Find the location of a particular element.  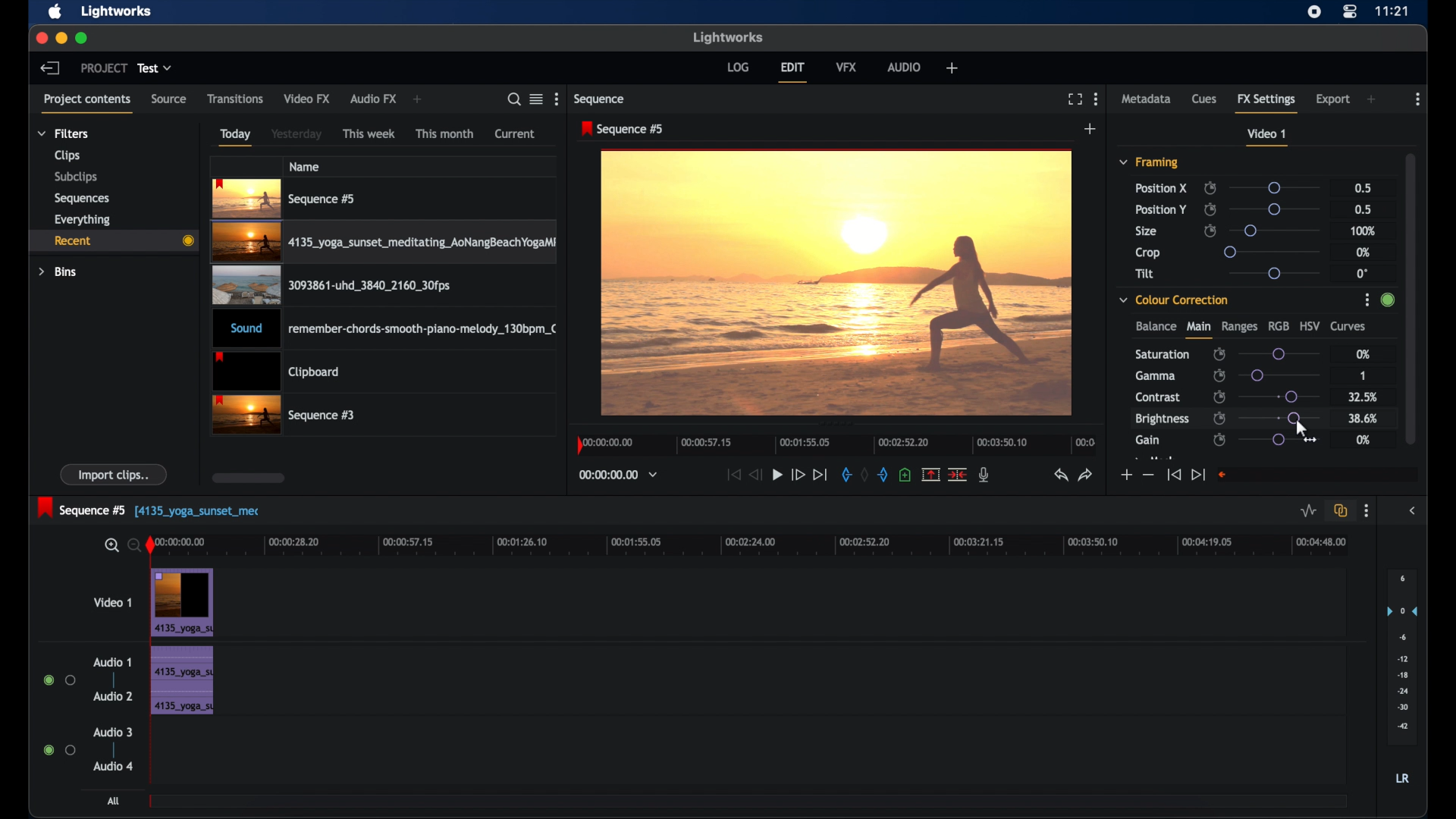

project is located at coordinates (104, 68).